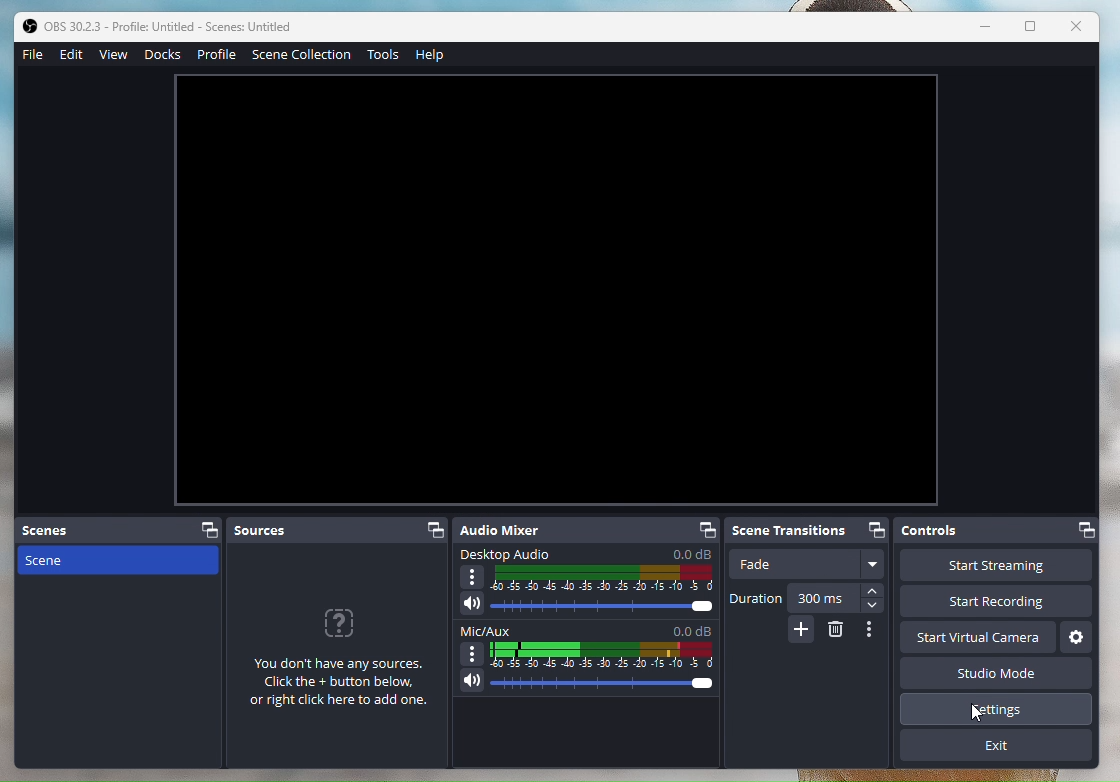 The image size is (1120, 782). Describe the element at coordinates (586, 582) in the screenshot. I see `Desktop Audio` at that location.